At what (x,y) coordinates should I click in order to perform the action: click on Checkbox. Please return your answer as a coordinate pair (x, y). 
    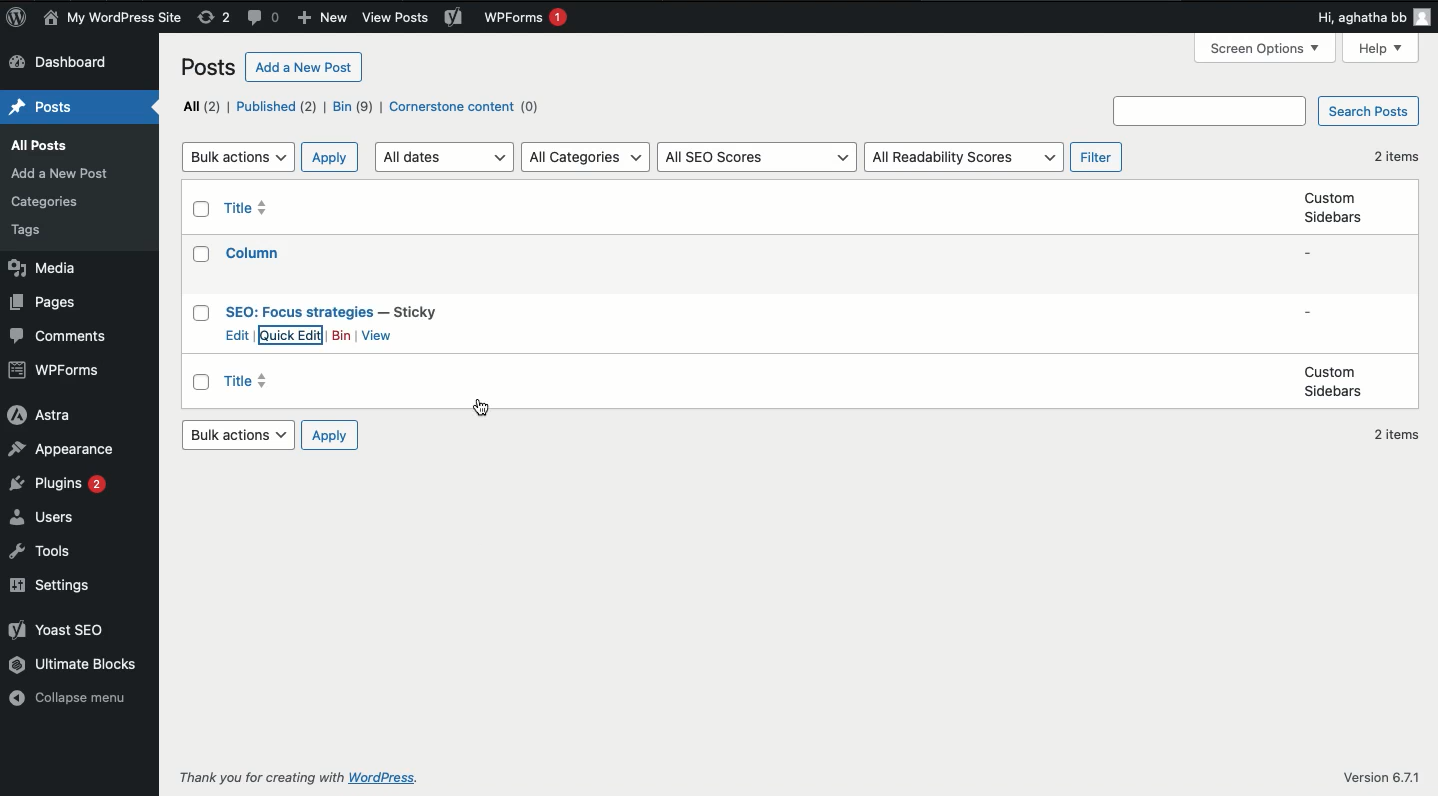
    Looking at the image, I should click on (203, 313).